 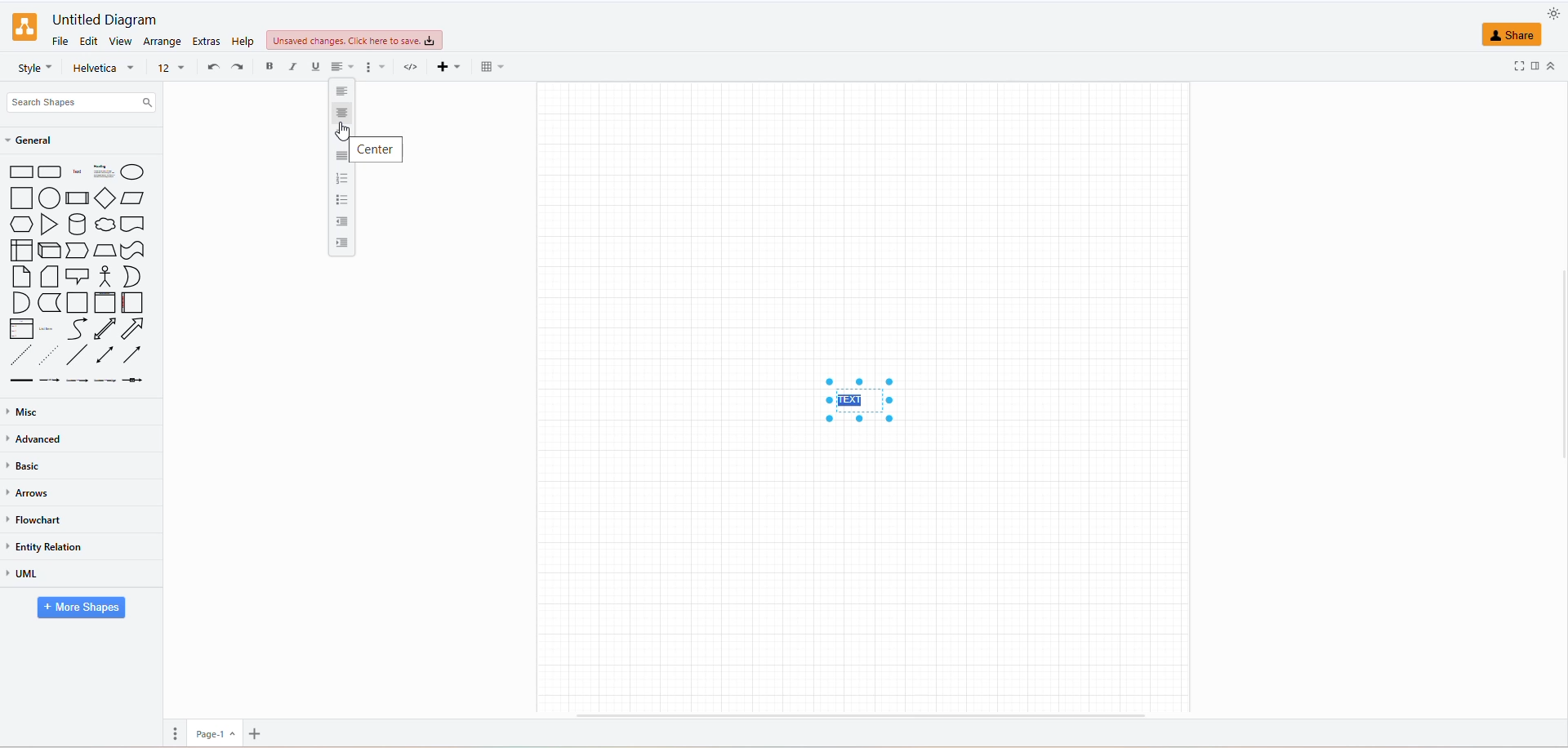 What do you see at coordinates (42, 141) in the screenshot?
I see `general` at bounding box center [42, 141].